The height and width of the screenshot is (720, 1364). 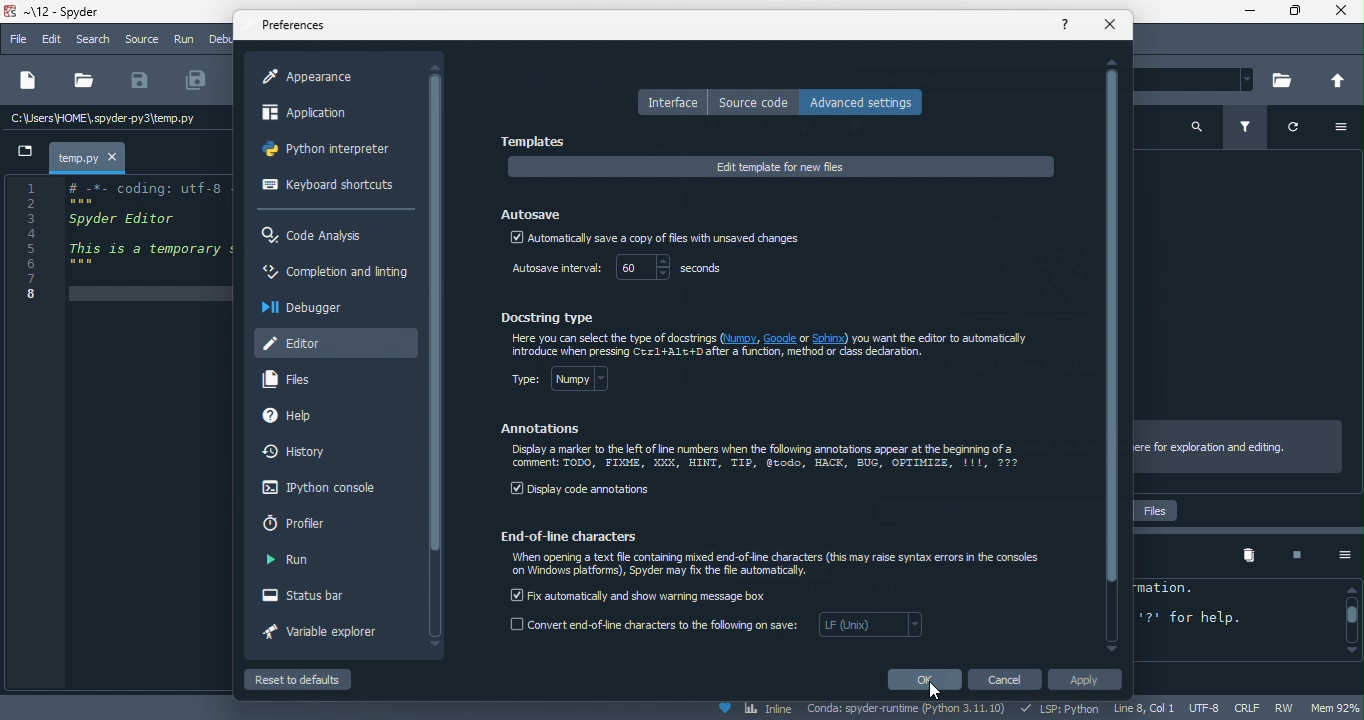 I want to click on rw, so click(x=1290, y=709).